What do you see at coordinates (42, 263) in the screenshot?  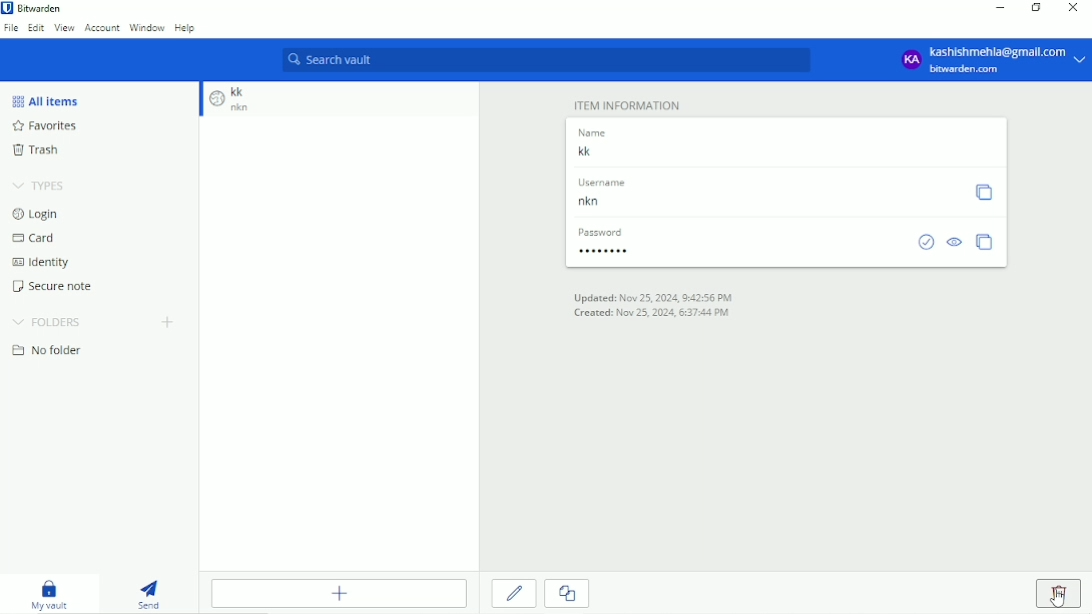 I see `Identity` at bounding box center [42, 263].